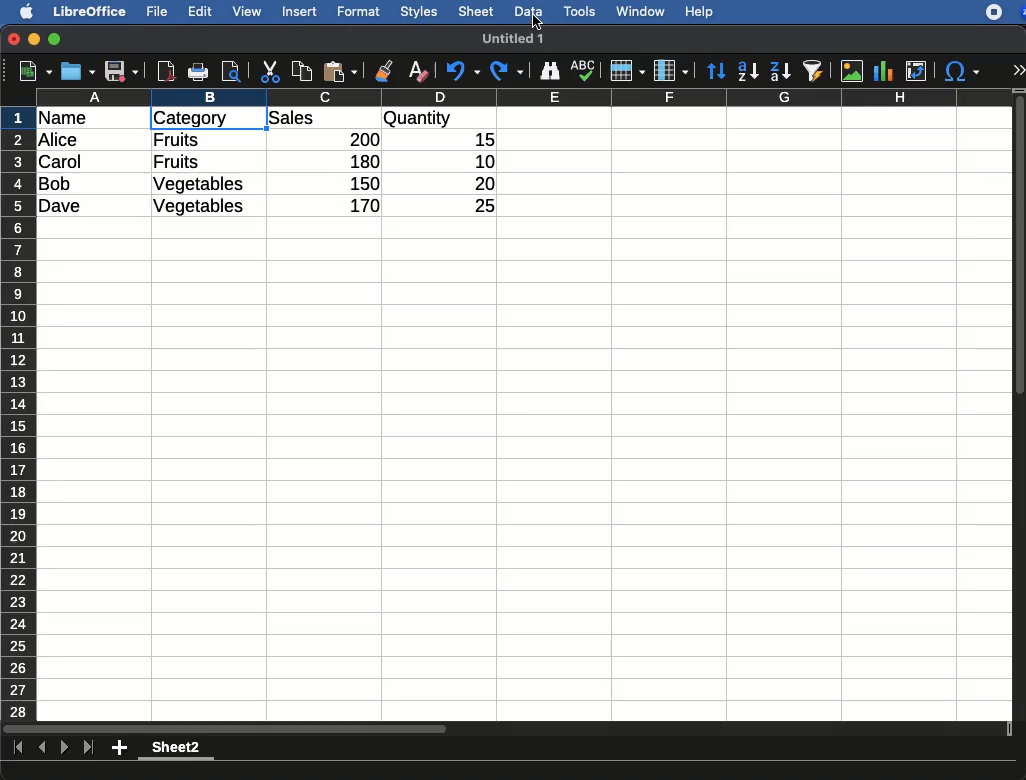  I want to click on clone formatting, so click(384, 72).